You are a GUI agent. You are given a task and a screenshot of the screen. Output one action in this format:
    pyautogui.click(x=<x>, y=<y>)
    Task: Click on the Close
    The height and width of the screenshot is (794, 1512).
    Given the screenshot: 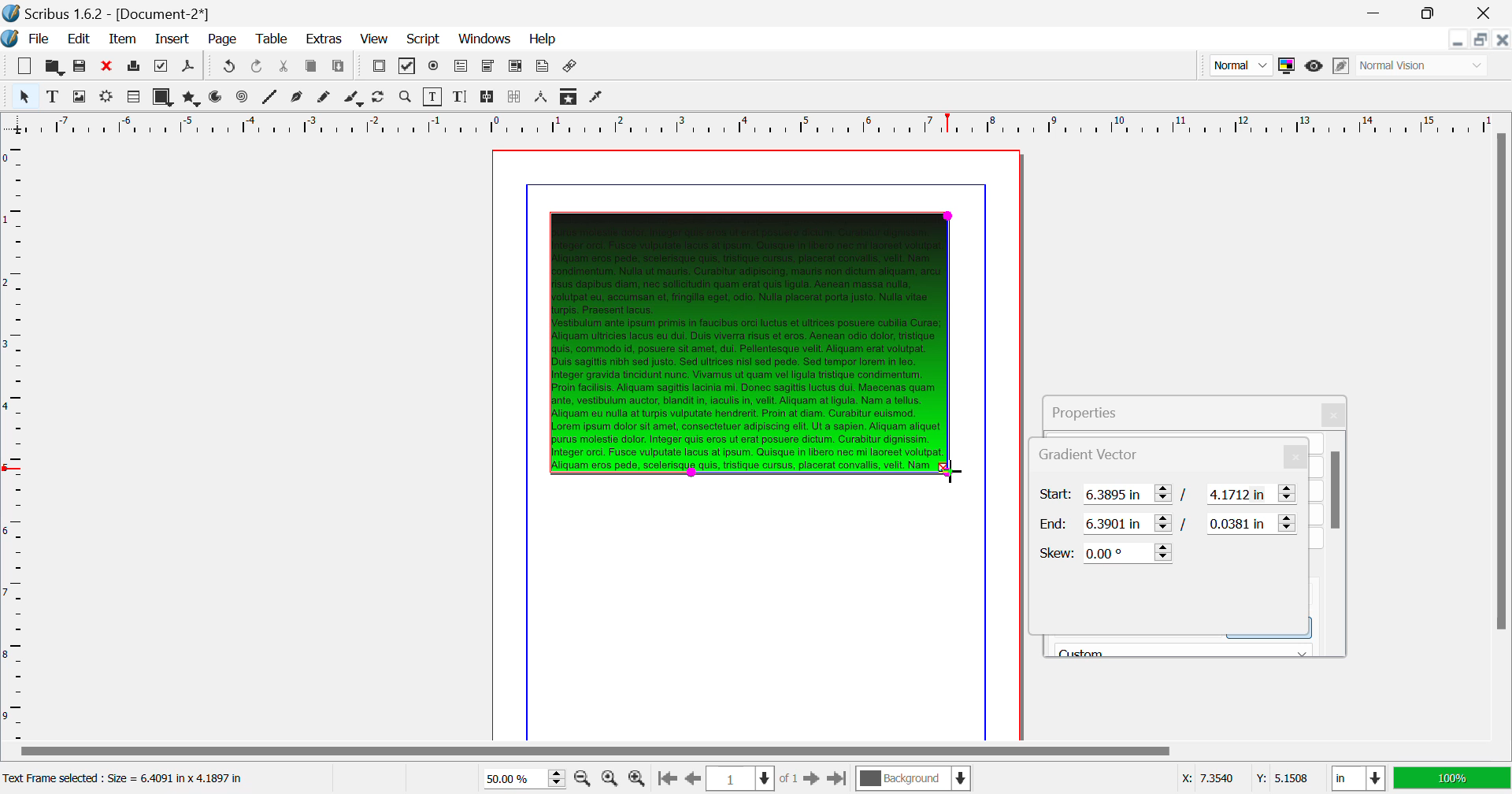 What is the action you would take?
    pyautogui.click(x=1336, y=415)
    